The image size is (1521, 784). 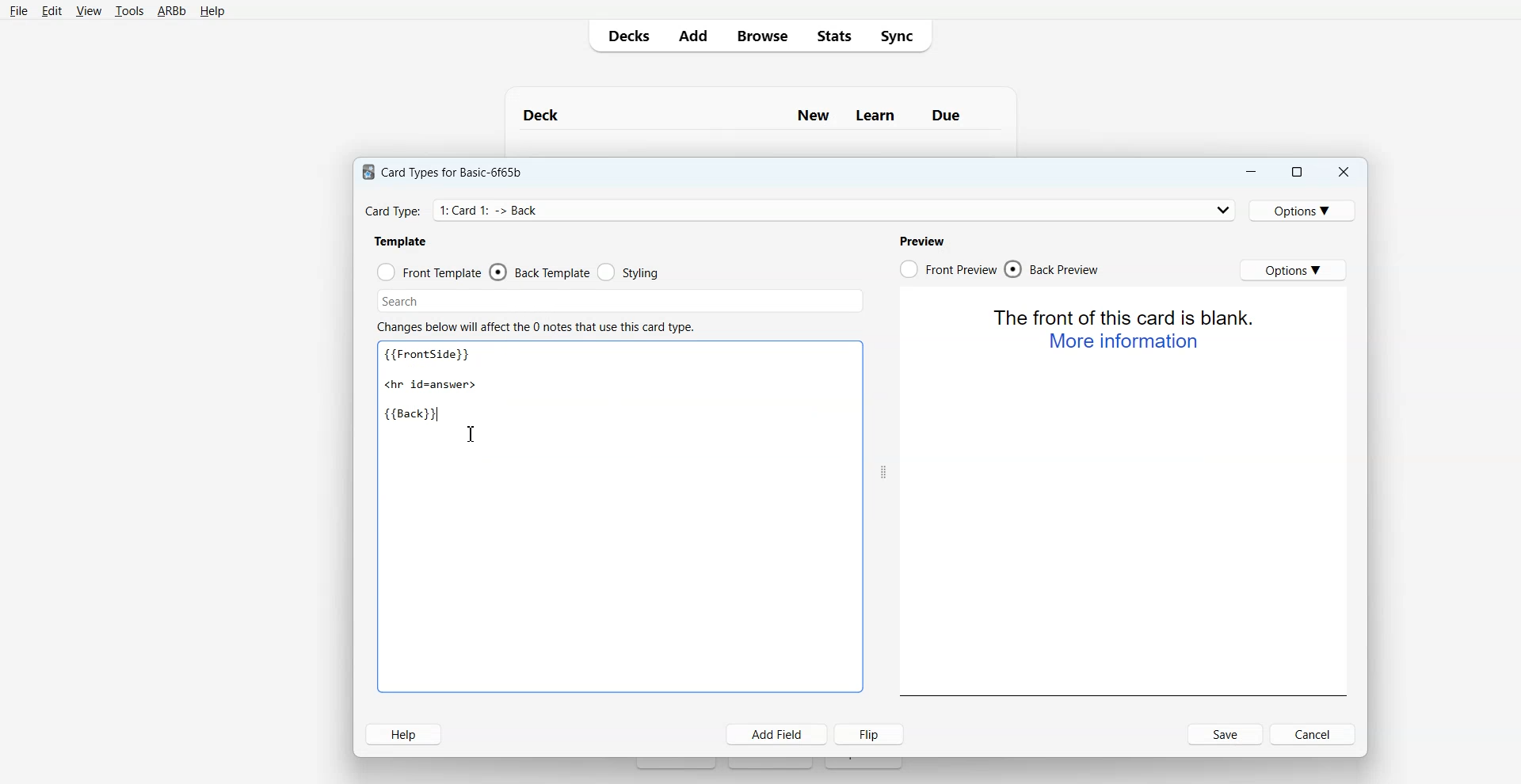 What do you see at coordinates (1225, 734) in the screenshot?
I see `Save` at bounding box center [1225, 734].